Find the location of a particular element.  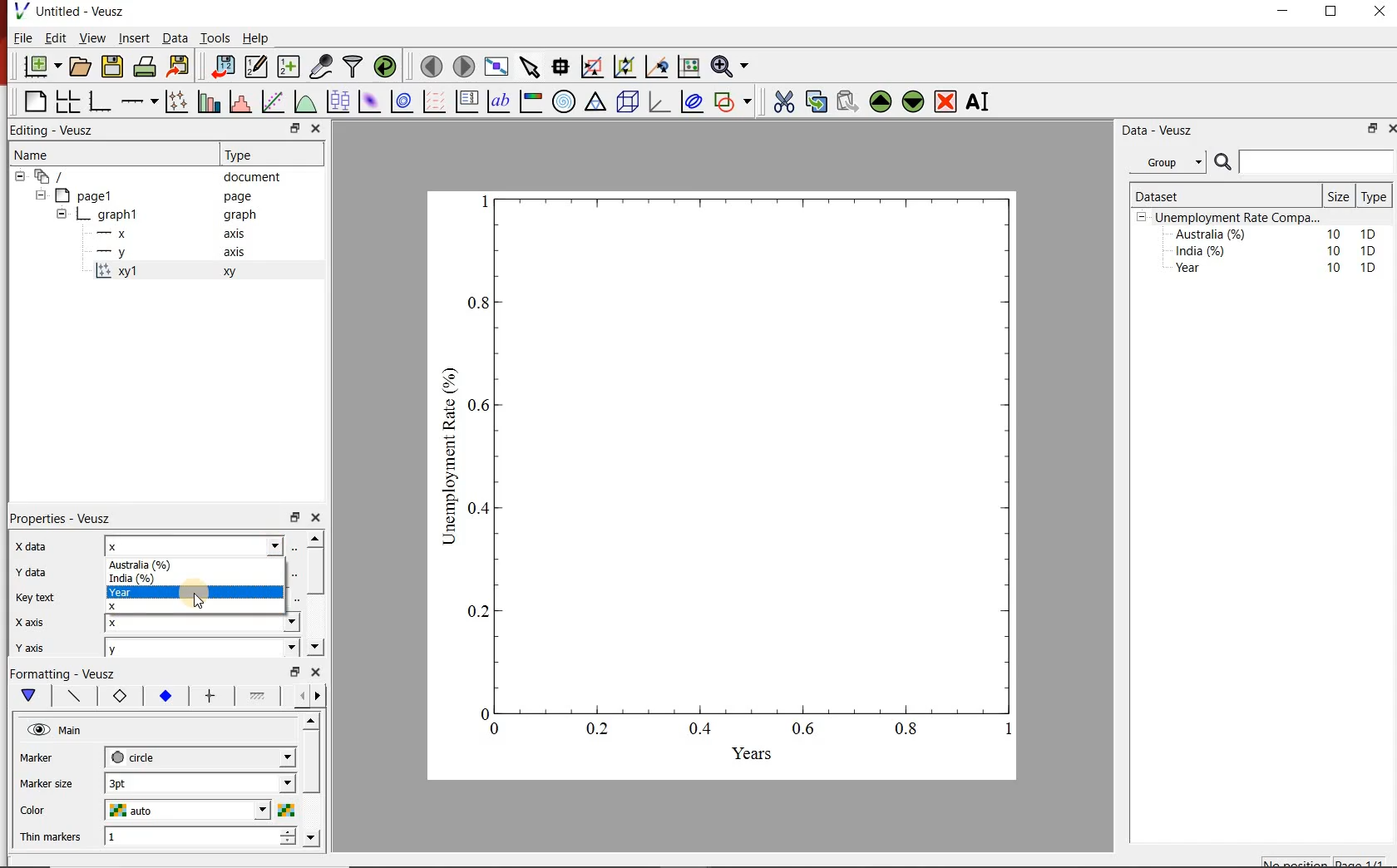

save document is located at coordinates (112, 66).